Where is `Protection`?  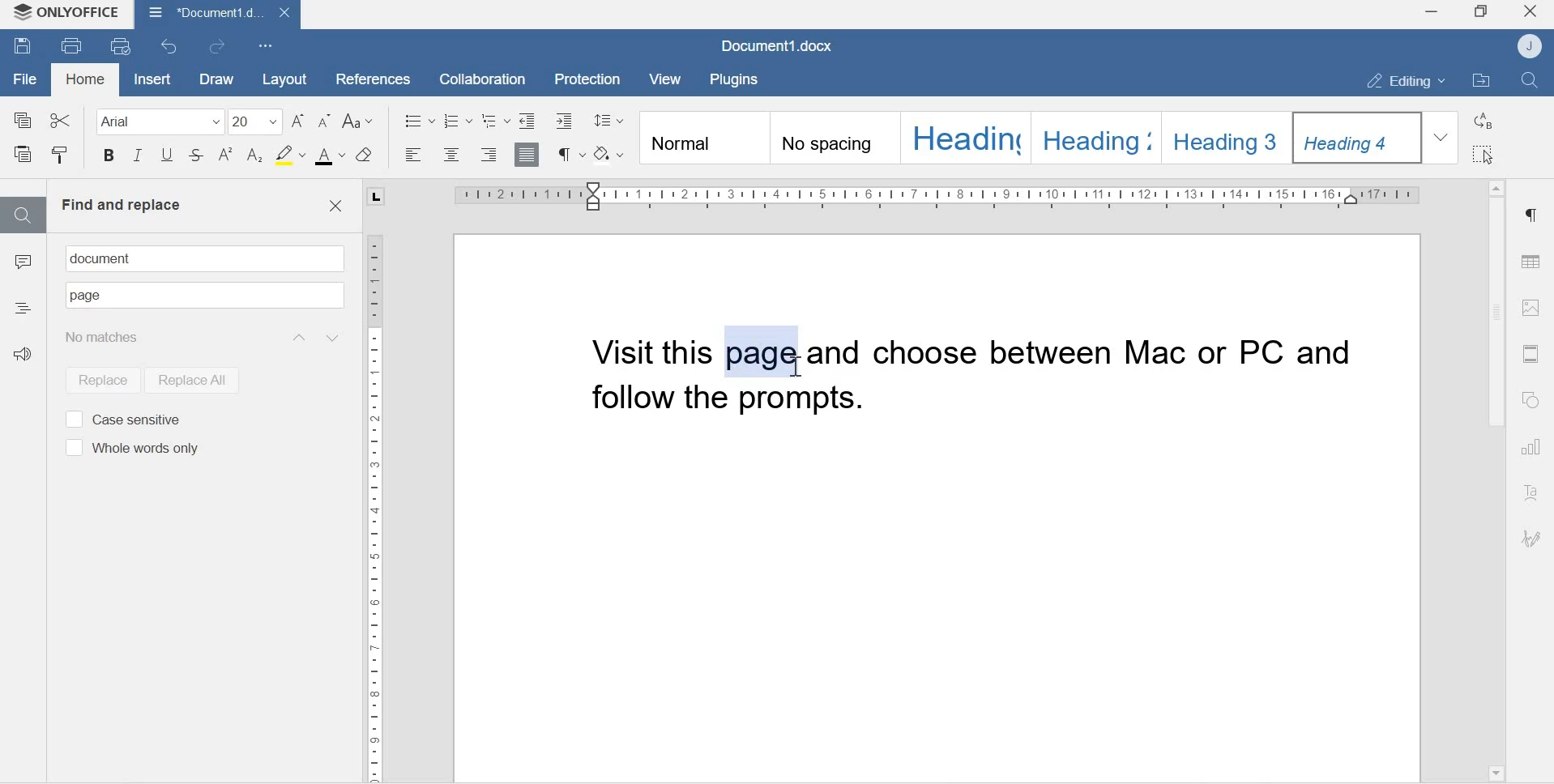 Protection is located at coordinates (589, 78).